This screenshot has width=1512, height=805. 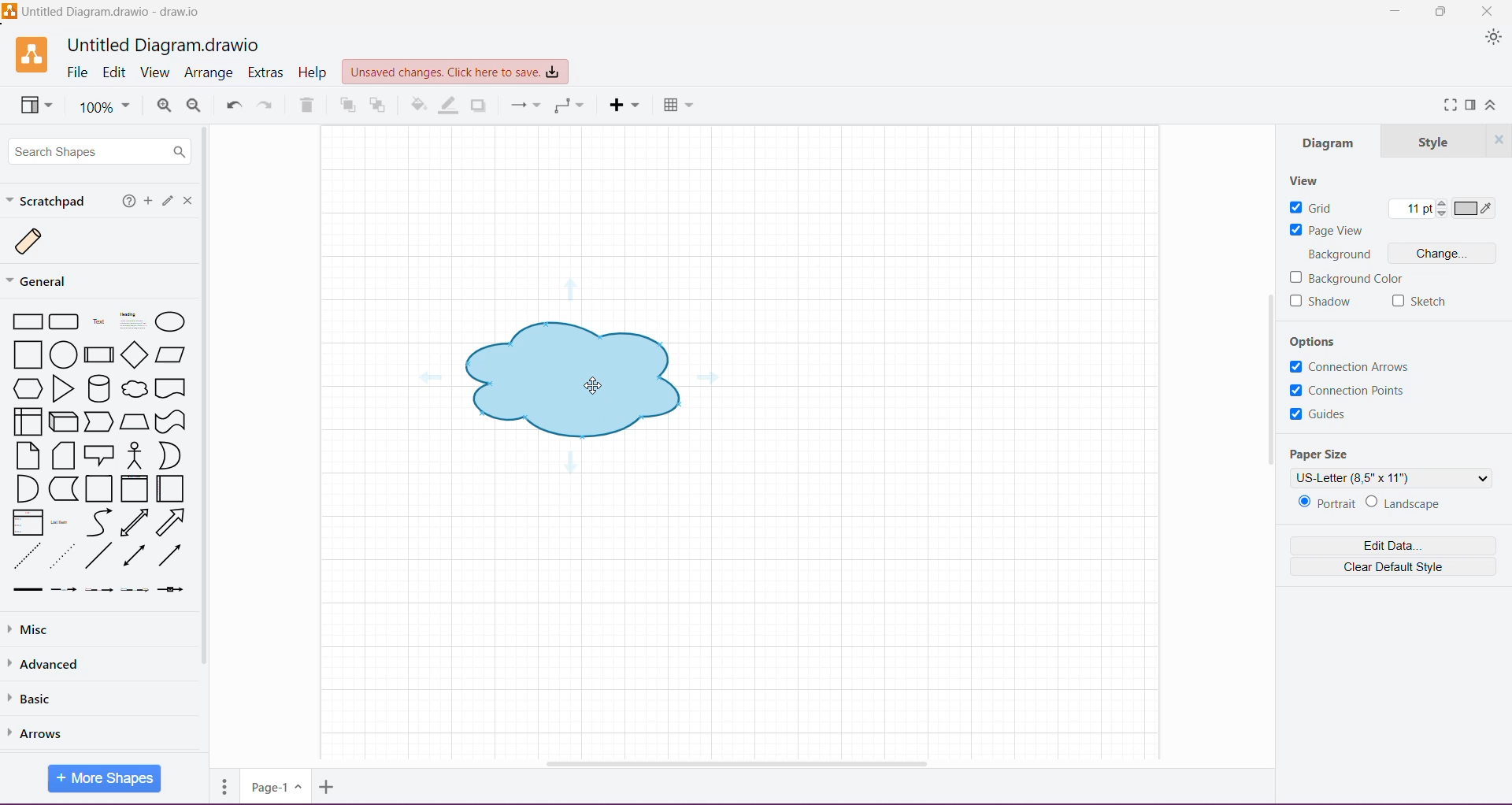 I want to click on 11pt, so click(x=1415, y=210).